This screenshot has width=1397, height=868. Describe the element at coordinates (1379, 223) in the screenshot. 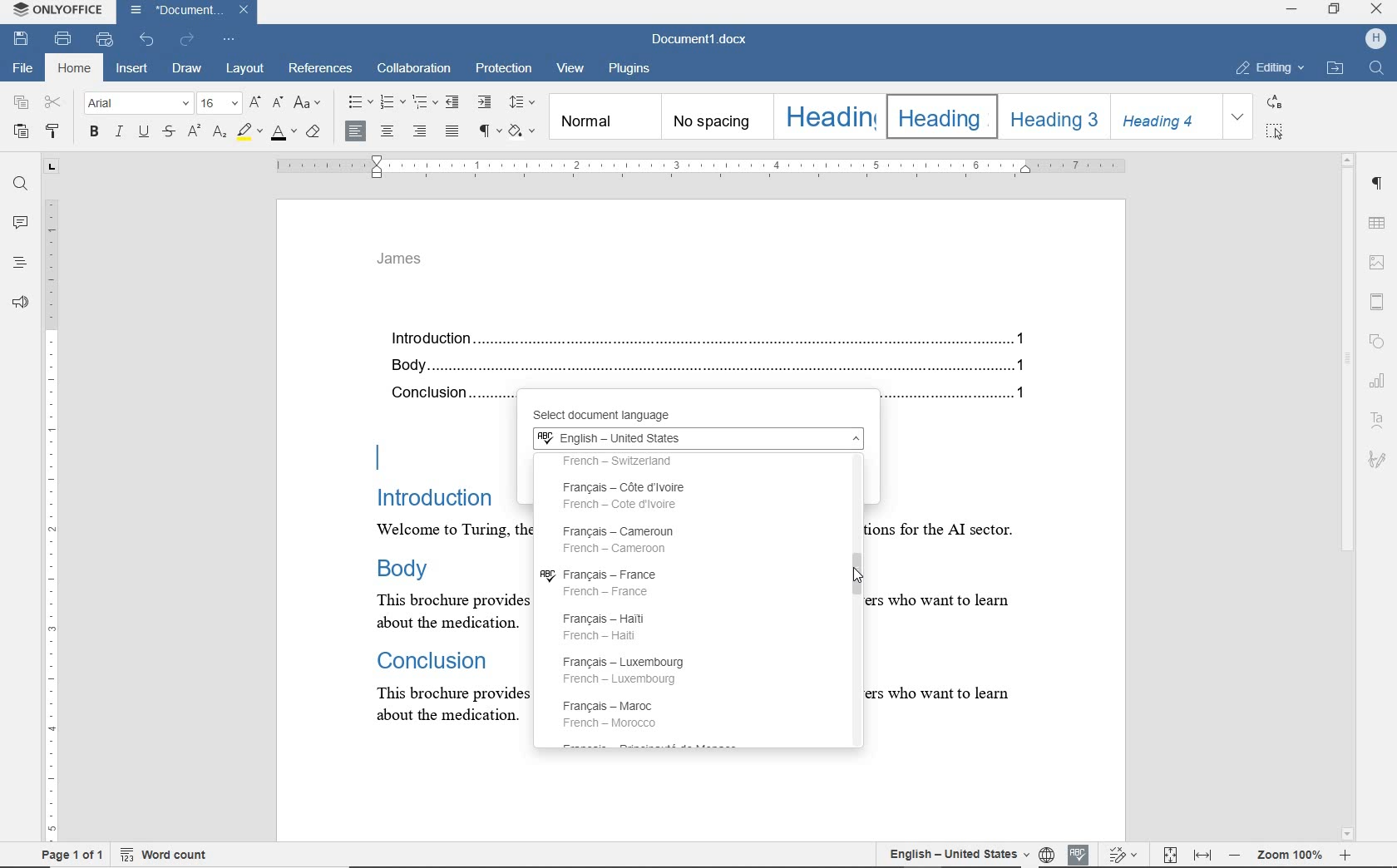

I see `table` at that location.